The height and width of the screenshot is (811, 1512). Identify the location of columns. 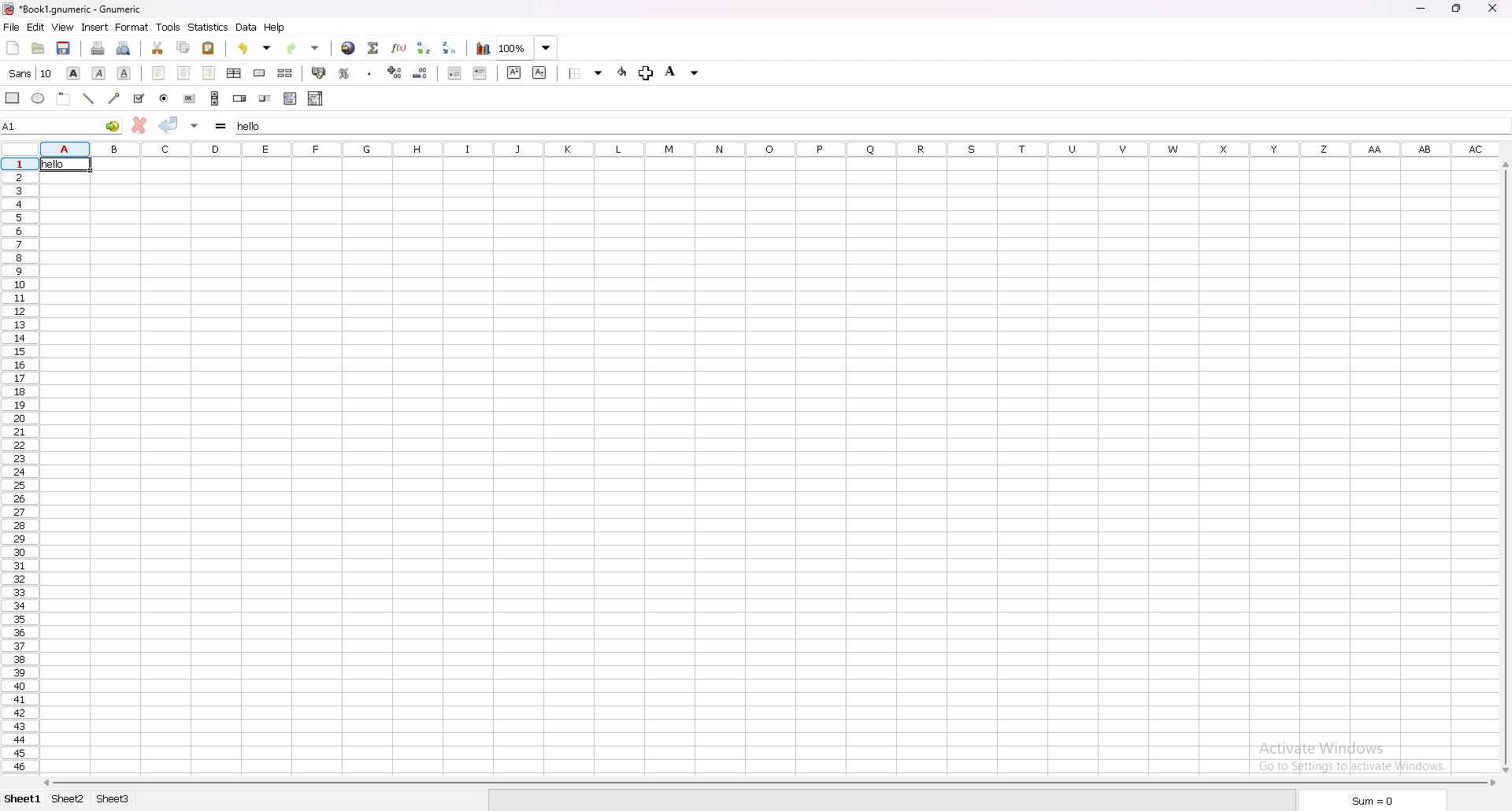
(769, 147).